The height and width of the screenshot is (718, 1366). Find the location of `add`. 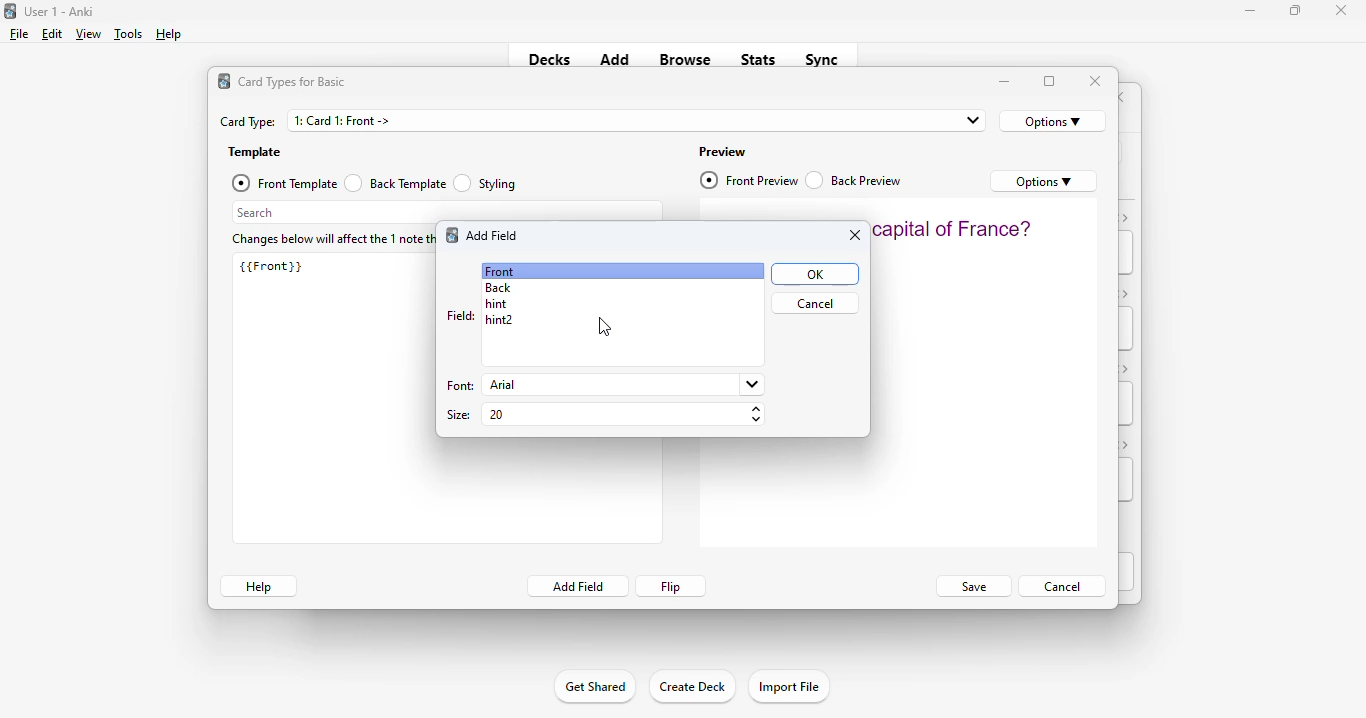

add is located at coordinates (615, 58).